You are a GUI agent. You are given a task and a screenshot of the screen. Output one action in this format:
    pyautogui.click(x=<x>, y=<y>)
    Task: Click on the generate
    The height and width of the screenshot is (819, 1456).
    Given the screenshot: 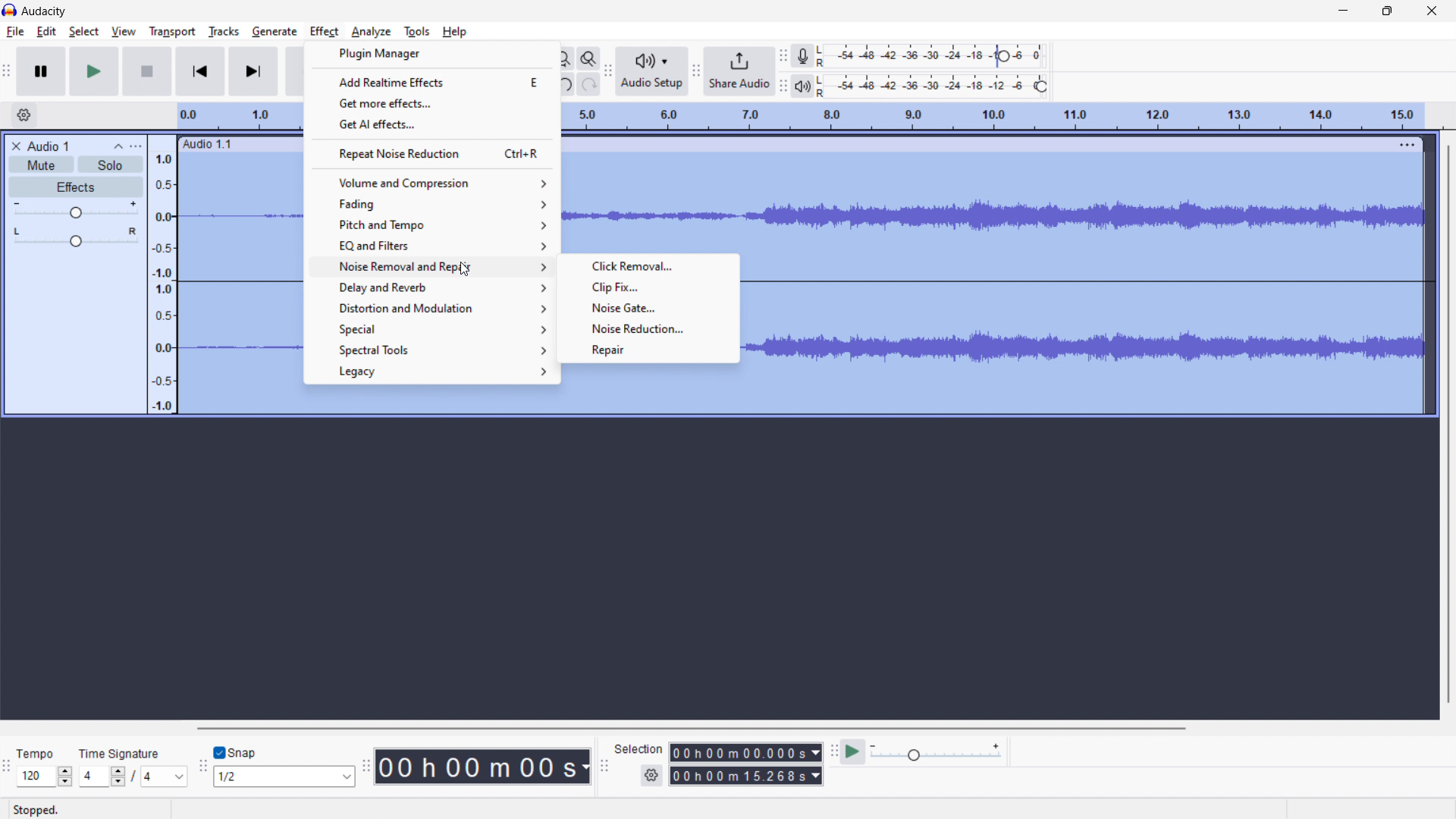 What is the action you would take?
    pyautogui.click(x=275, y=32)
    